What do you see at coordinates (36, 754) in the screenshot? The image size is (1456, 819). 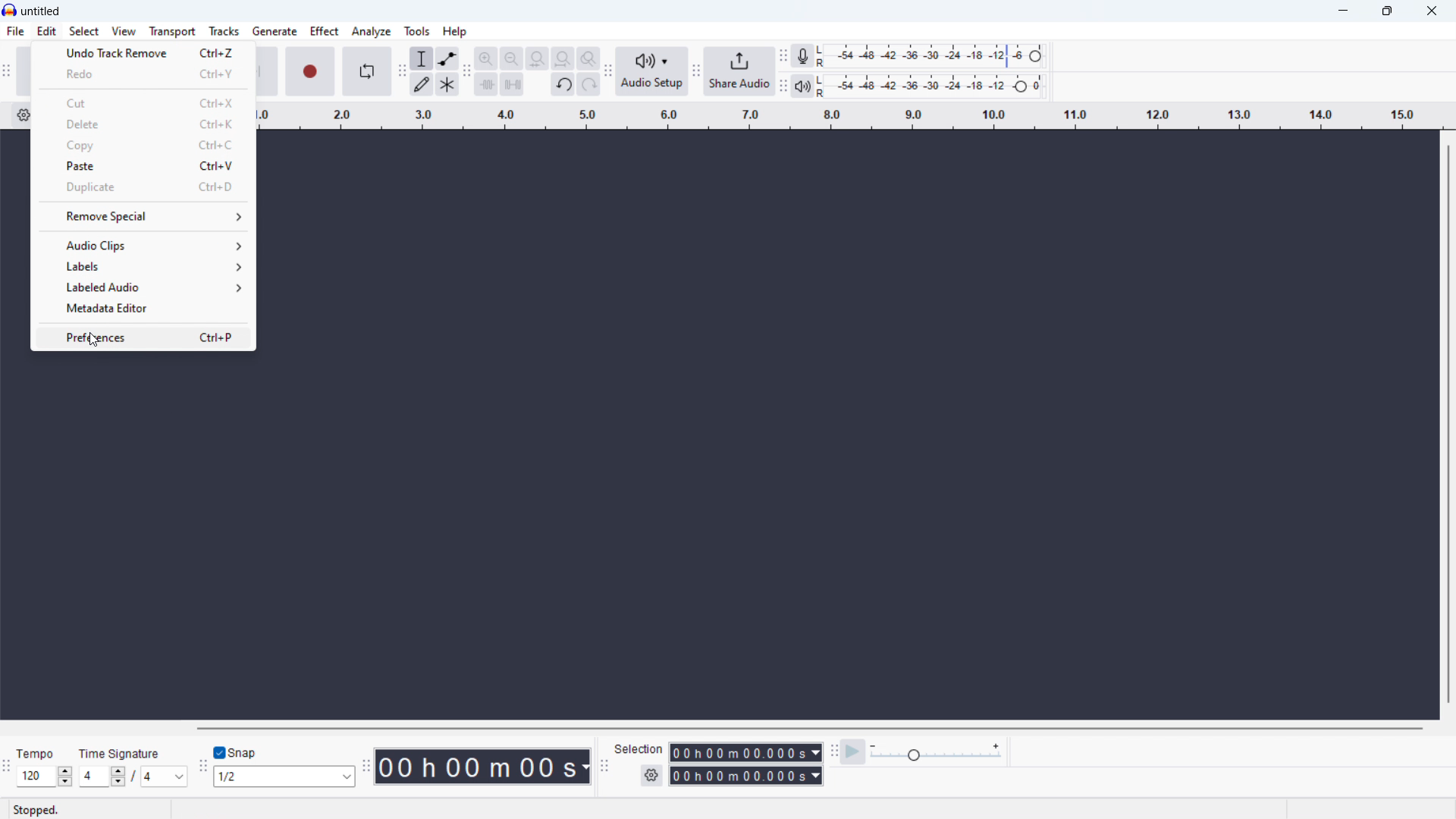 I see `Tempo` at bounding box center [36, 754].